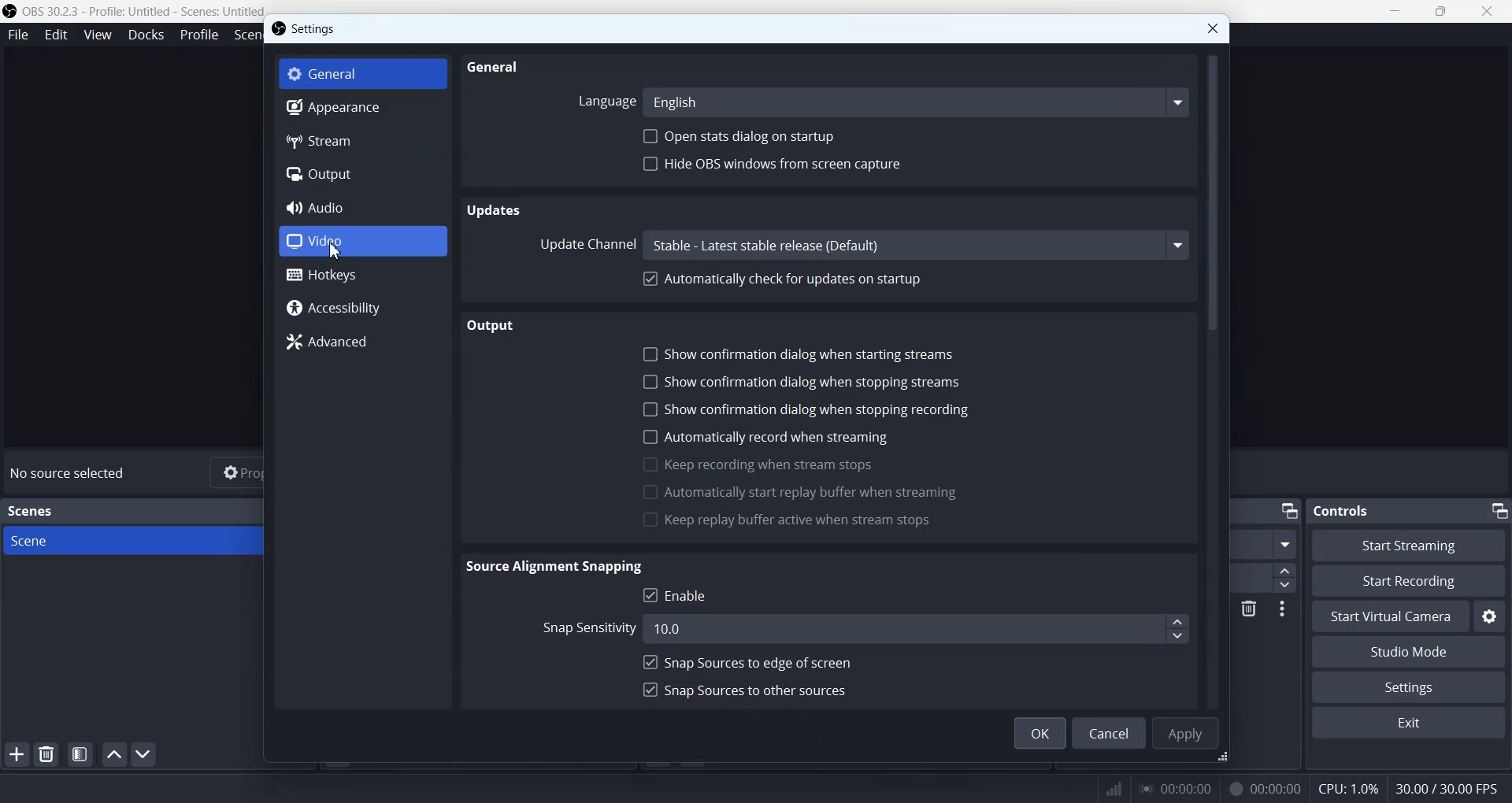 This screenshot has height=803, width=1512. What do you see at coordinates (861, 245) in the screenshot?
I see `Update Channel Stable-Latest stable release (Default)` at bounding box center [861, 245].